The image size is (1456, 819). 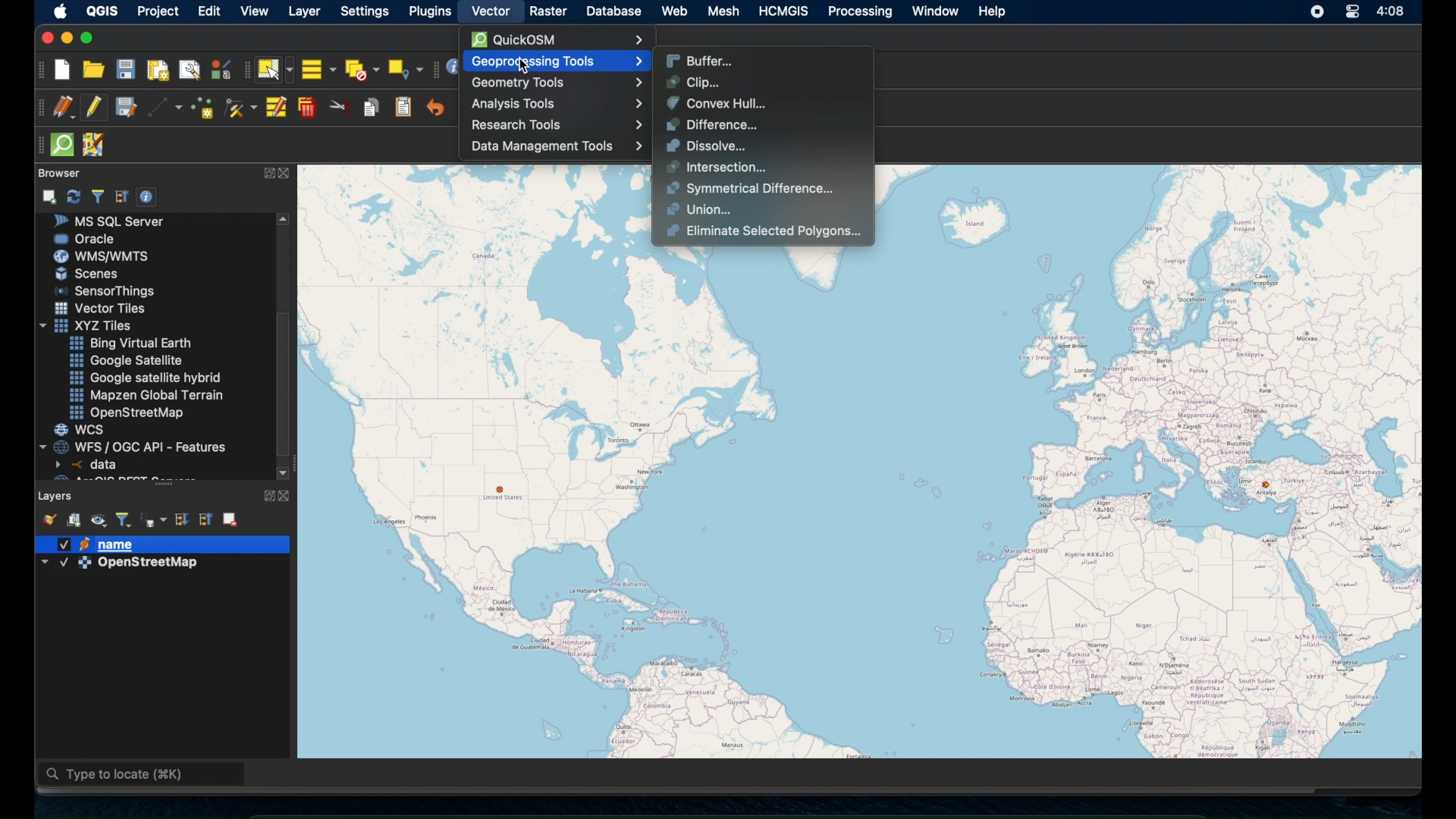 What do you see at coordinates (97, 146) in the screenshot?
I see `josh remote` at bounding box center [97, 146].